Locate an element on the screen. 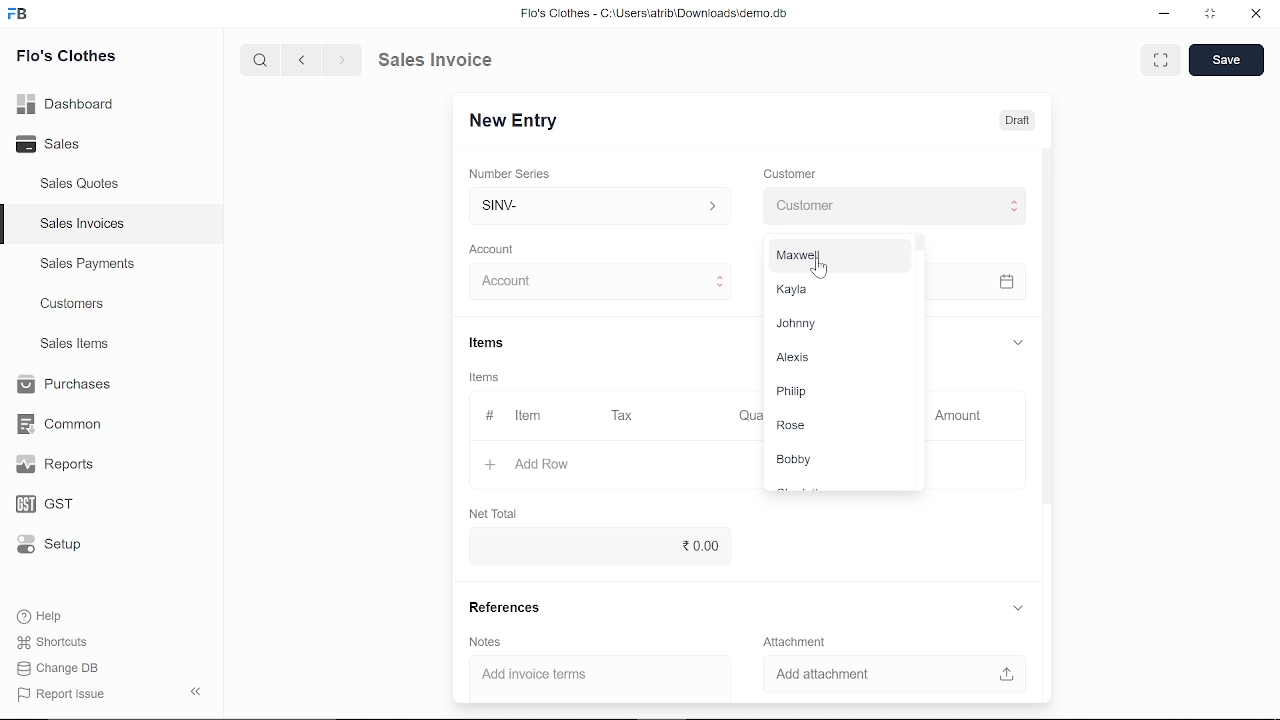 This screenshot has width=1280, height=720. next is located at coordinates (342, 60).